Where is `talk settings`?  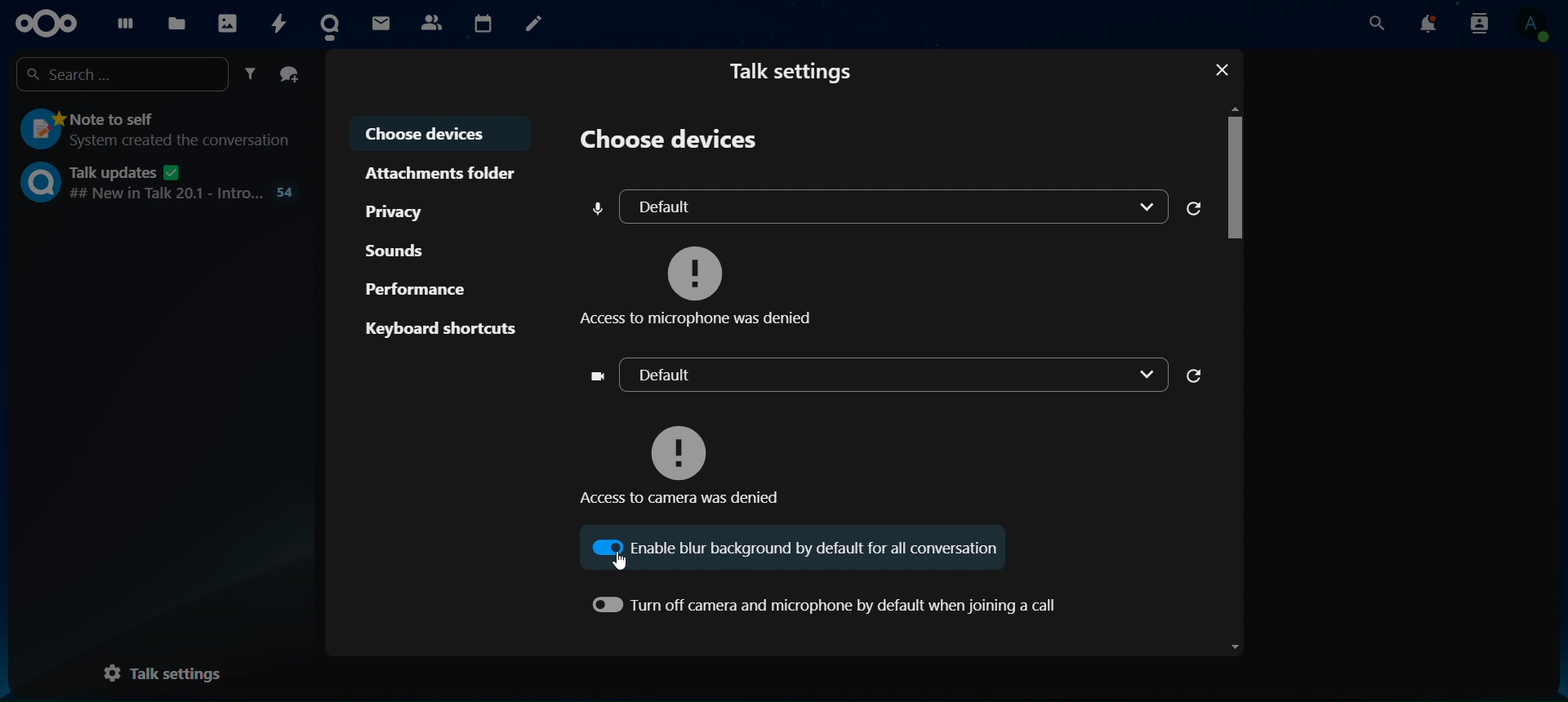 talk settings is located at coordinates (792, 73).